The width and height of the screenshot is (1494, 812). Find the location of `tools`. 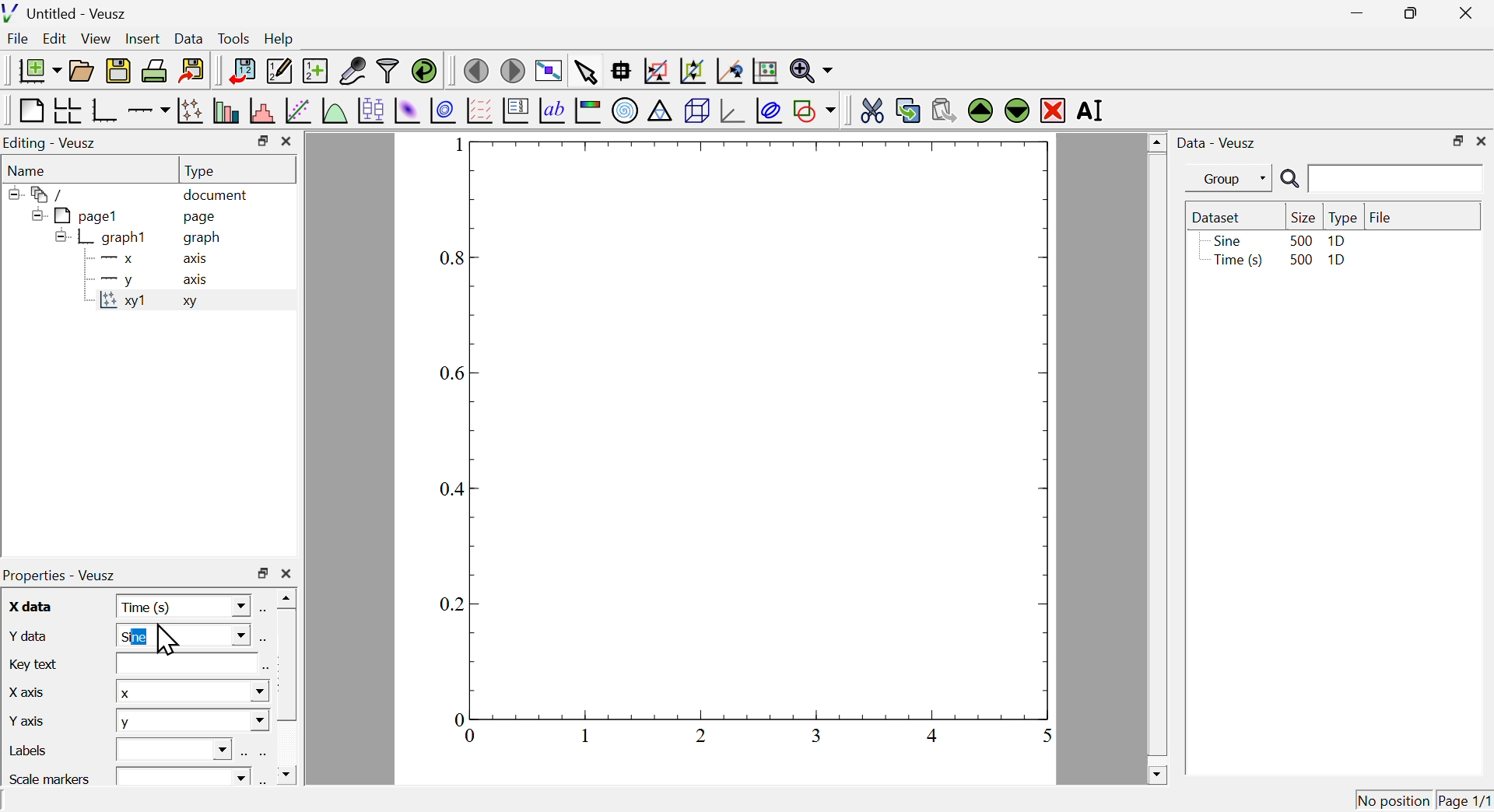

tools is located at coordinates (235, 37).